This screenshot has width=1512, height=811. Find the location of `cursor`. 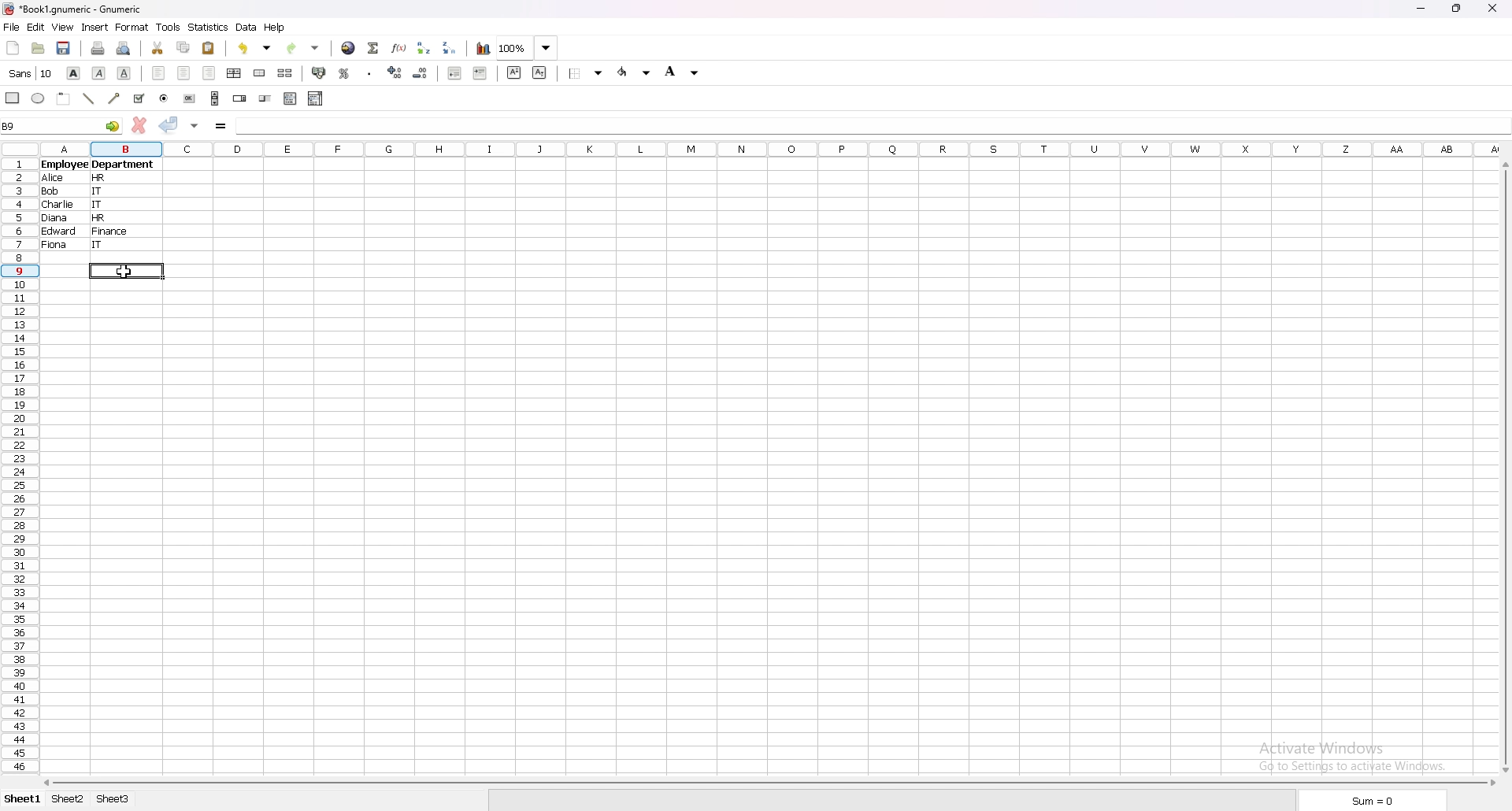

cursor is located at coordinates (123, 271).